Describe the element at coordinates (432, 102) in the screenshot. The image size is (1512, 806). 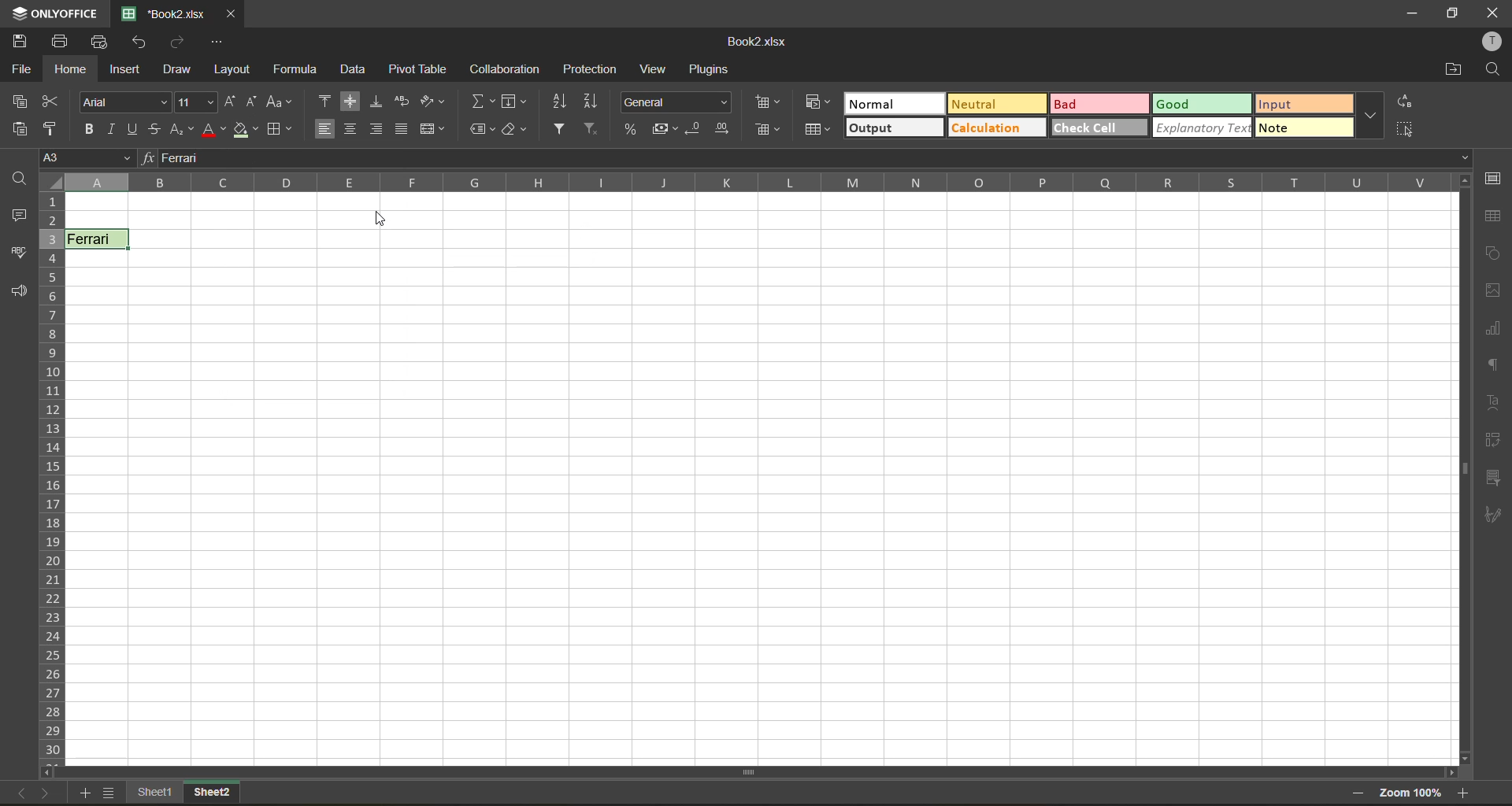
I see `orientation` at that location.